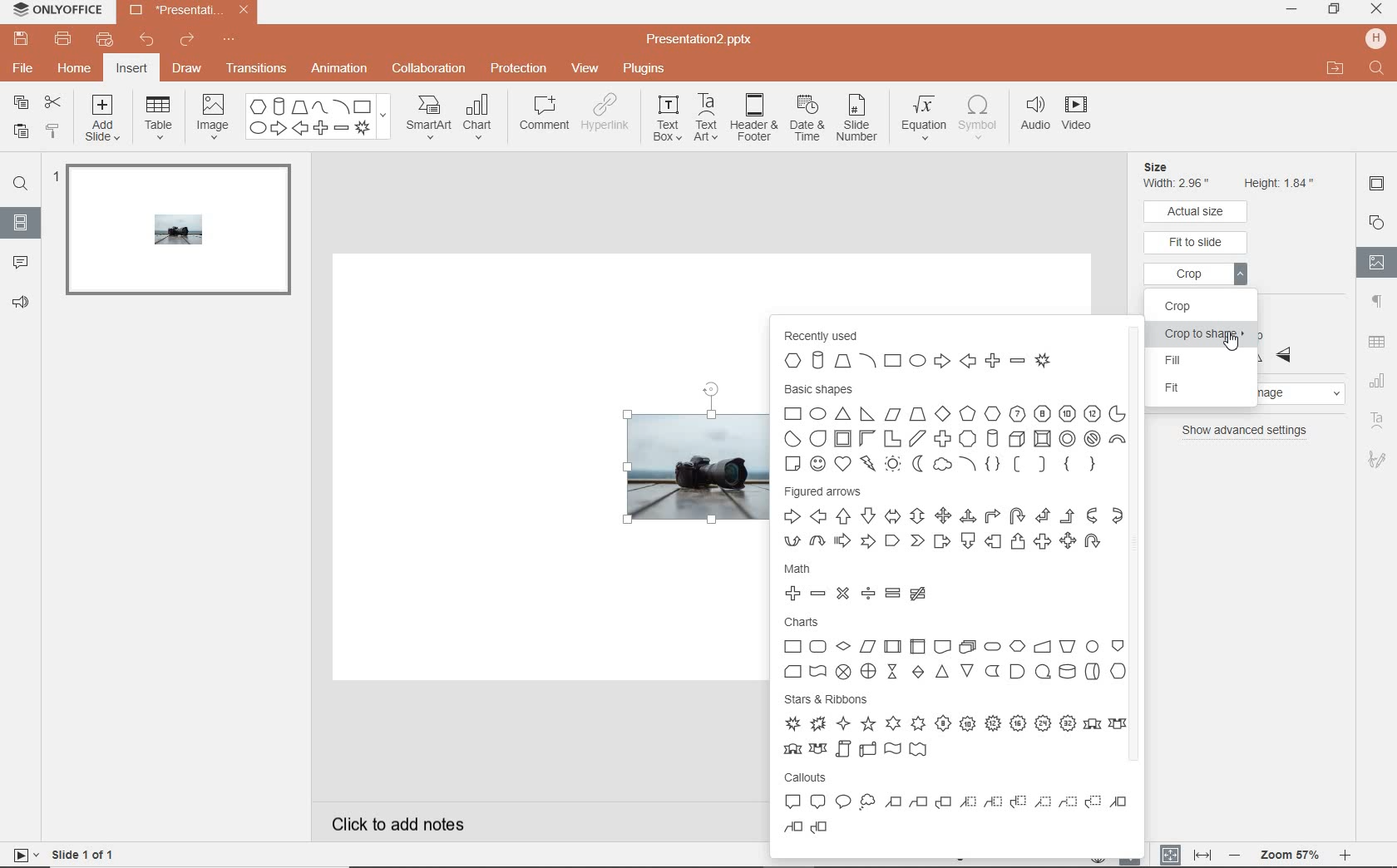  Describe the element at coordinates (706, 120) in the screenshot. I see `text art` at that location.